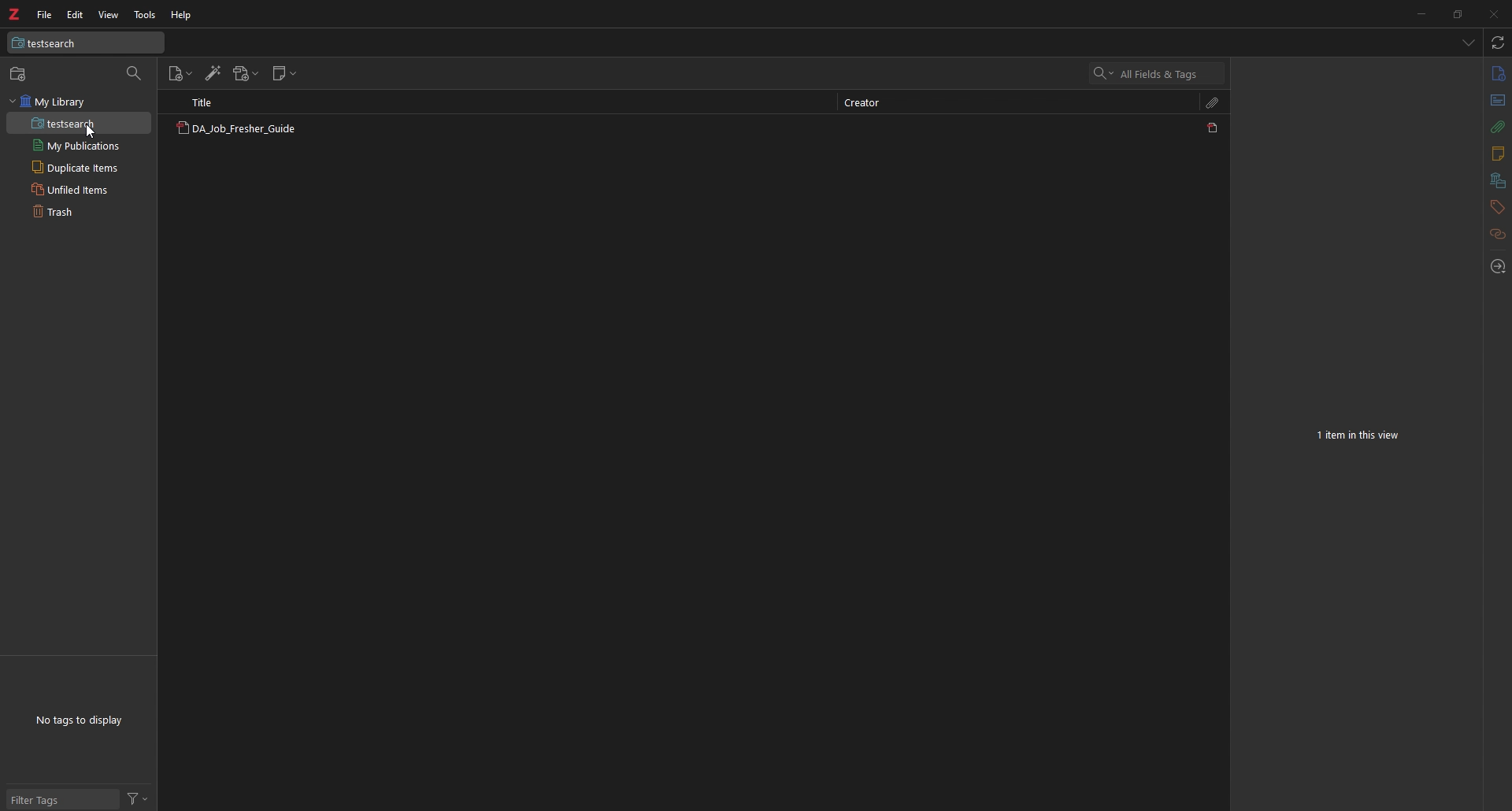  What do you see at coordinates (79, 720) in the screenshot?
I see `No tags to display` at bounding box center [79, 720].